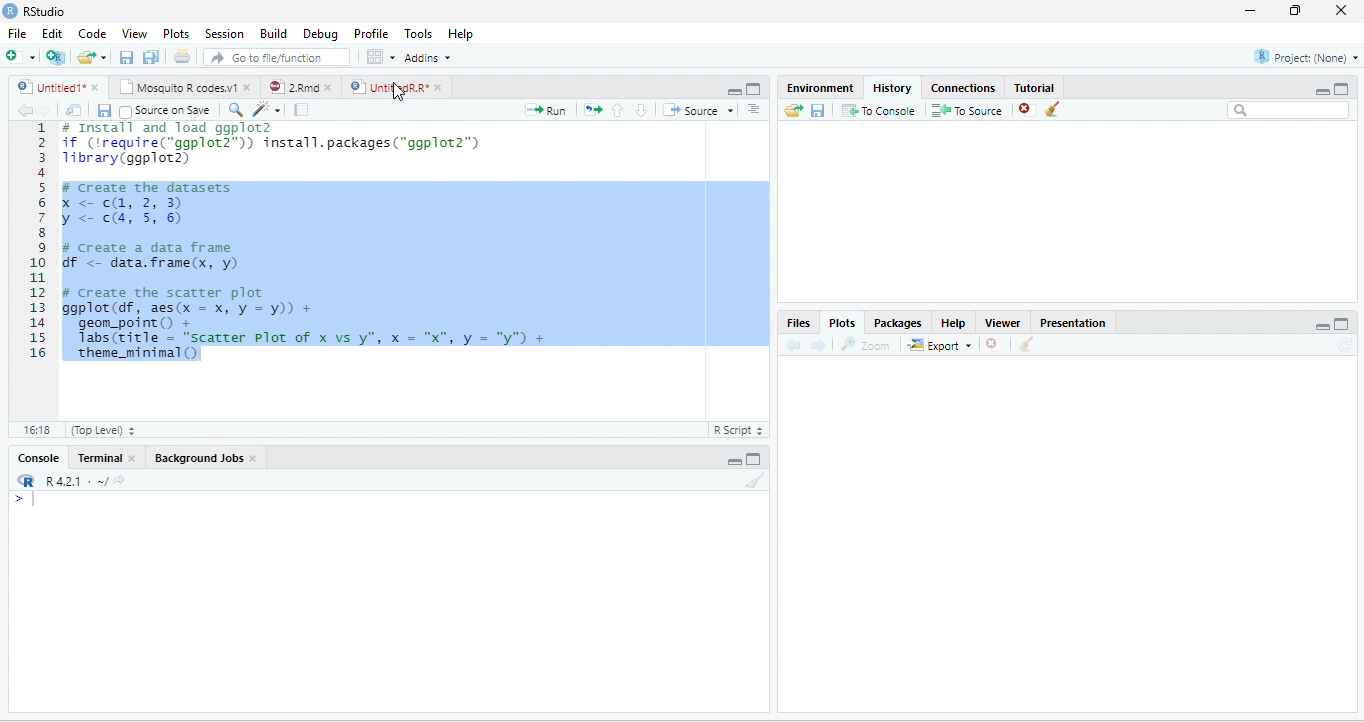 This screenshot has height=722, width=1364. I want to click on Connections, so click(964, 87).